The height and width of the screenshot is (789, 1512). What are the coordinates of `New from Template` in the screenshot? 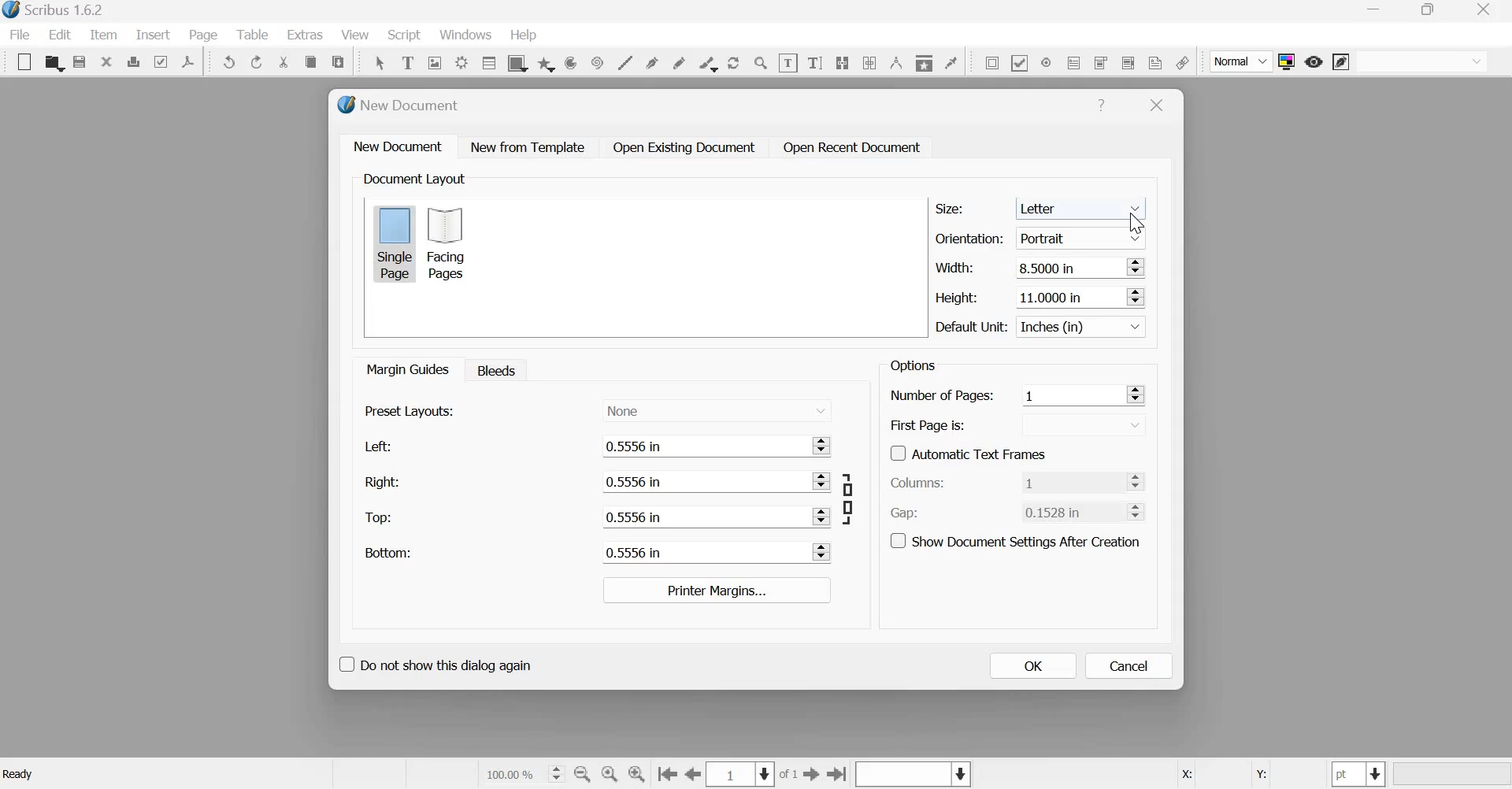 It's located at (531, 146).